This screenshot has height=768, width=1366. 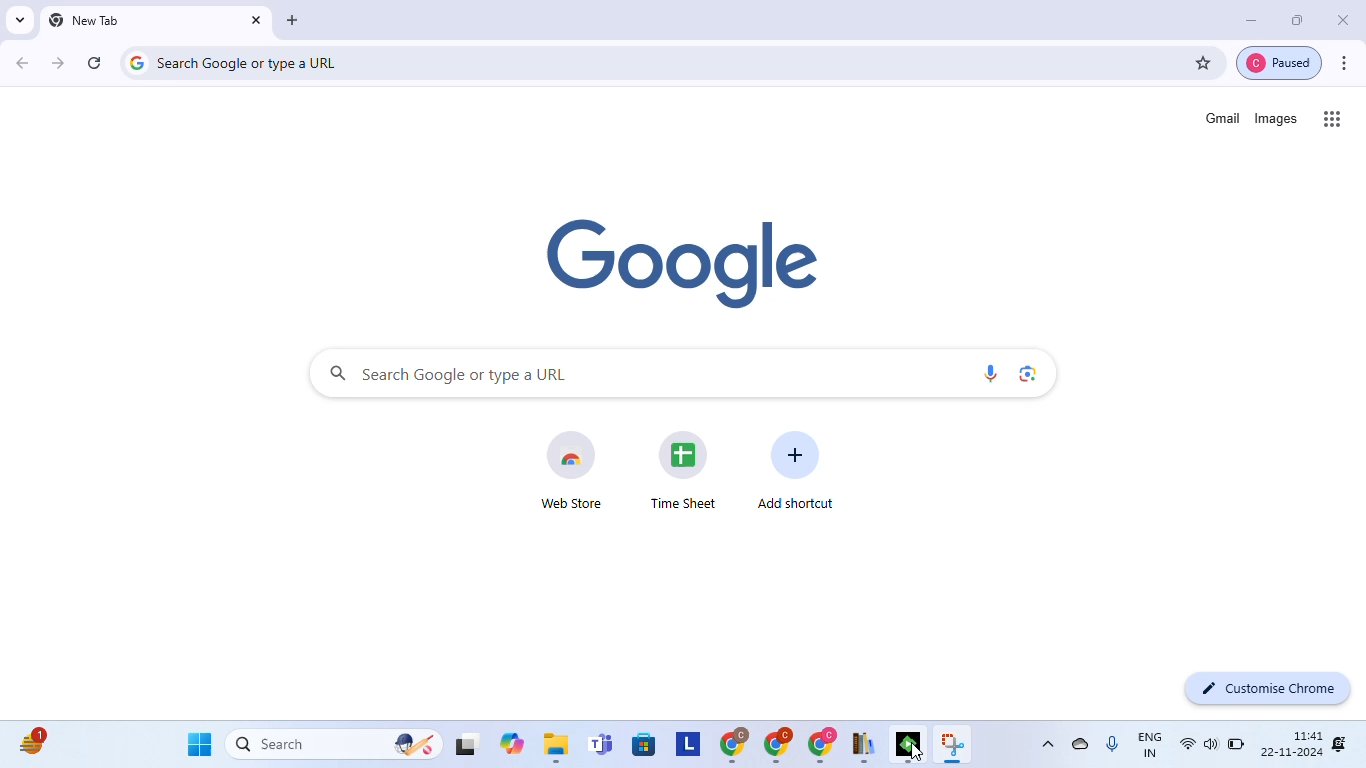 I want to click on web store, so click(x=569, y=468).